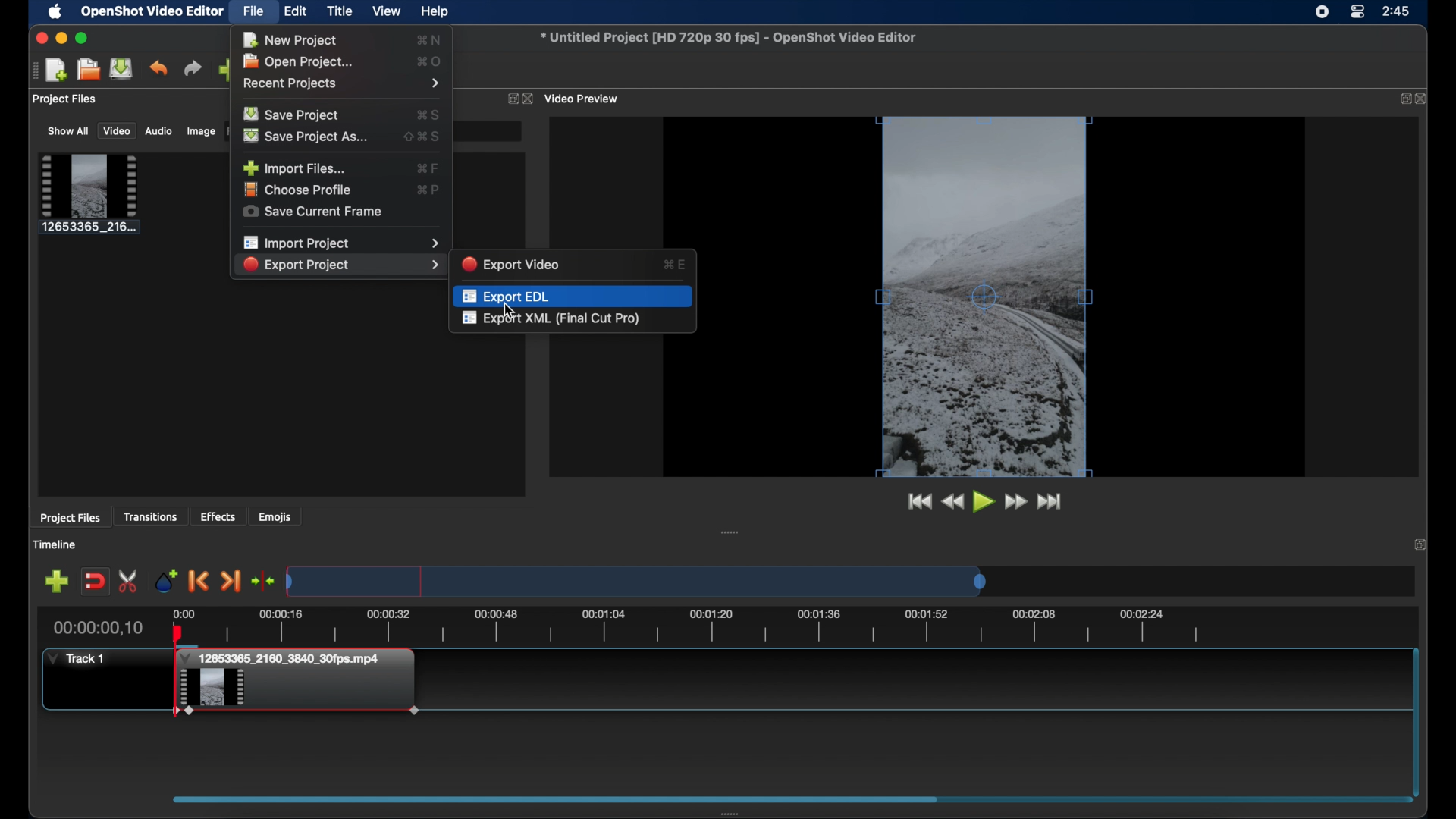 Image resolution: width=1456 pixels, height=819 pixels. I want to click on export xml, so click(552, 319).